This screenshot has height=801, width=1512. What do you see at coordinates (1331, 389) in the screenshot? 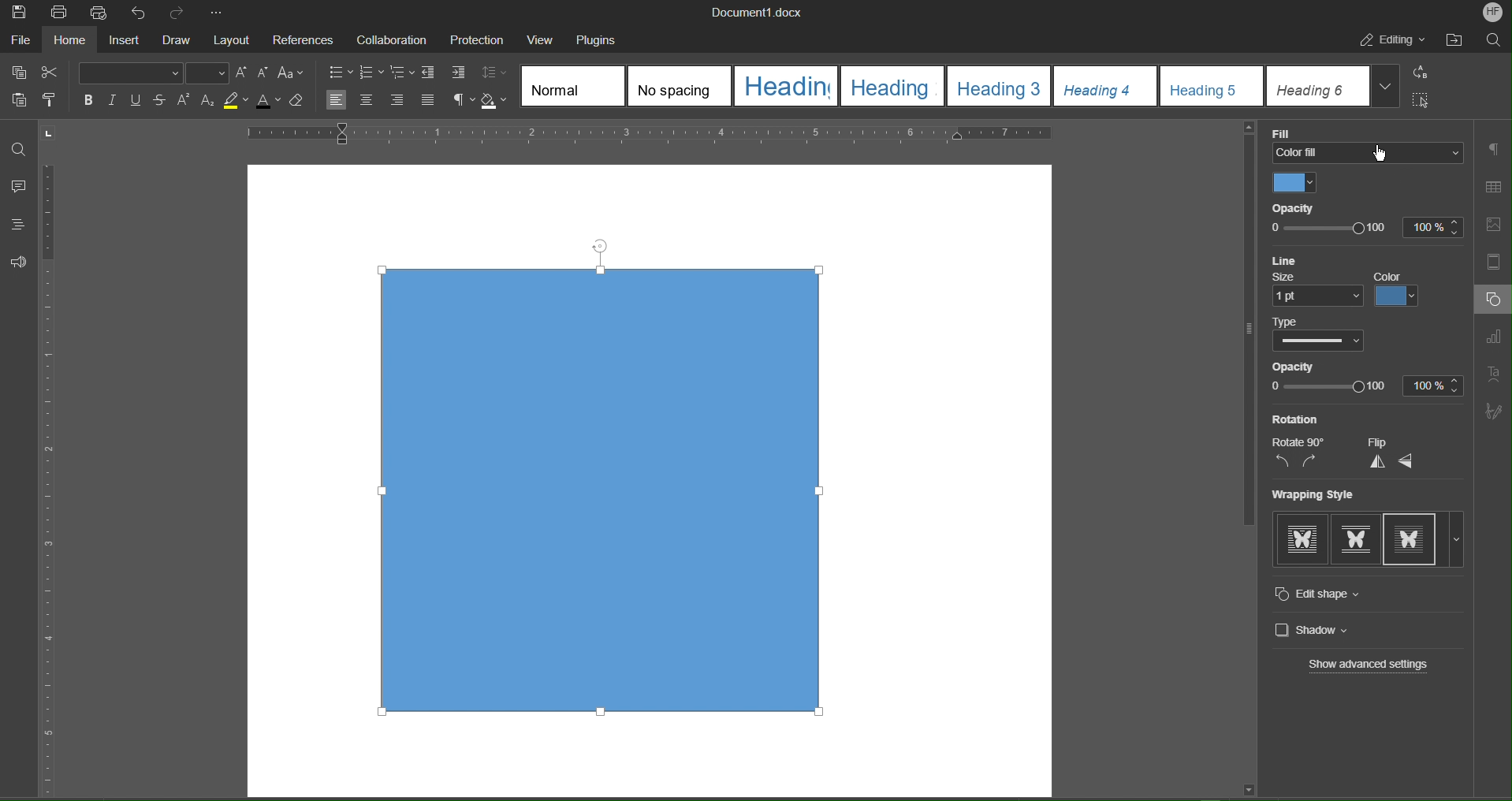
I see `0 100` at bounding box center [1331, 389].